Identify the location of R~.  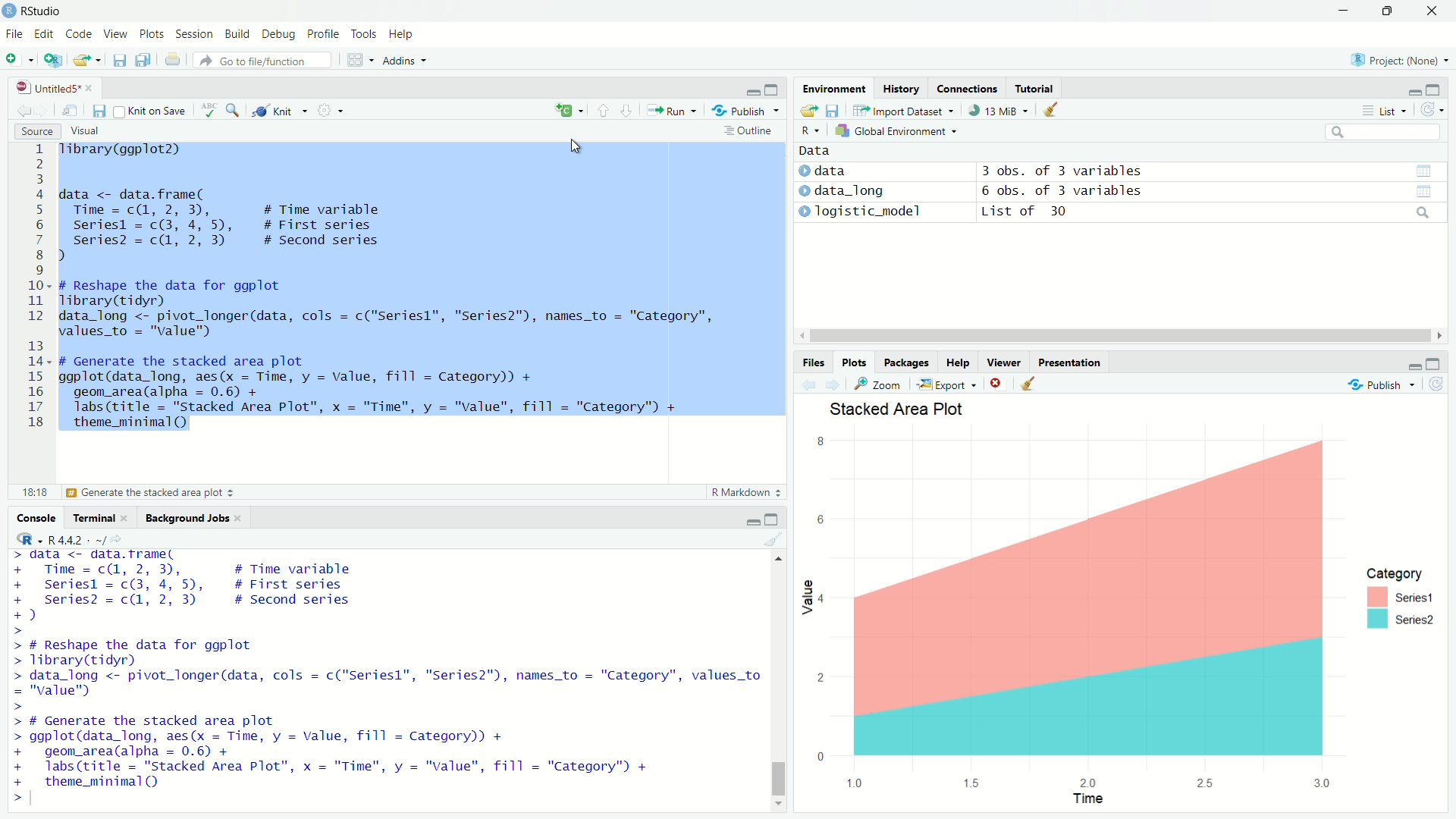
(808, 132).